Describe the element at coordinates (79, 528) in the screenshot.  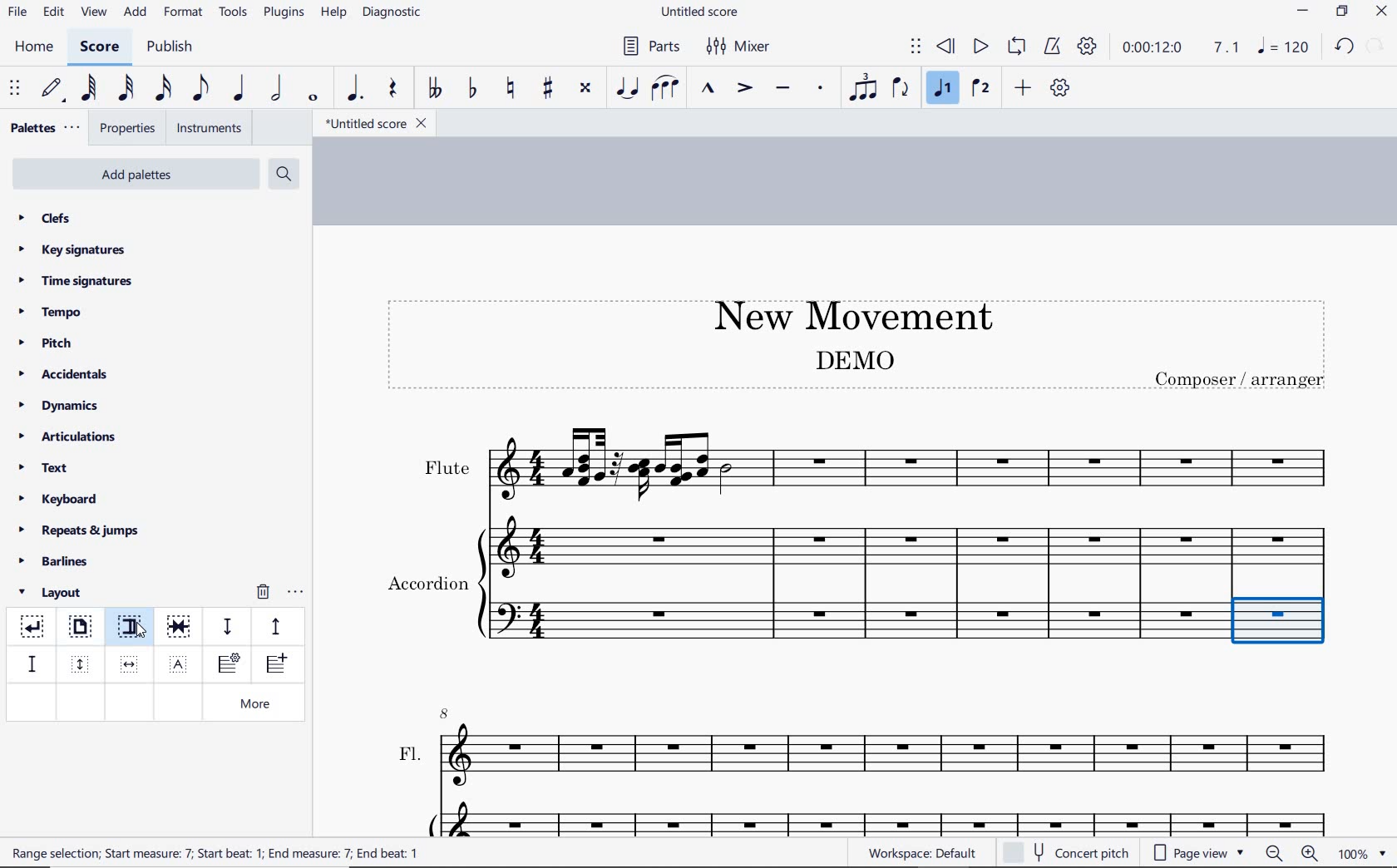
I see `repeats & jumps` at that location.